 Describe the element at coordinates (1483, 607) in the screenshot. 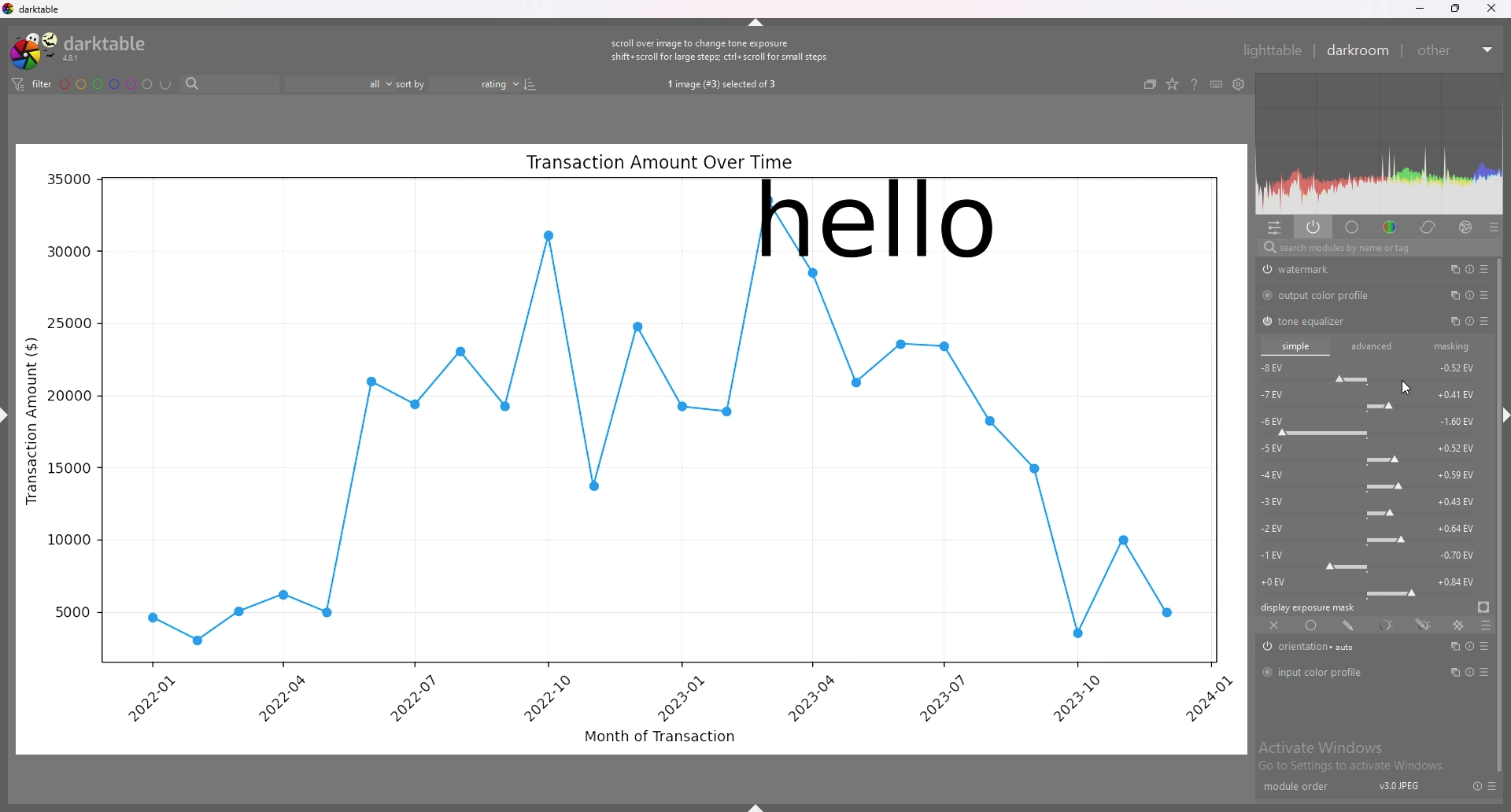

I see `display exposure mask` at that location.